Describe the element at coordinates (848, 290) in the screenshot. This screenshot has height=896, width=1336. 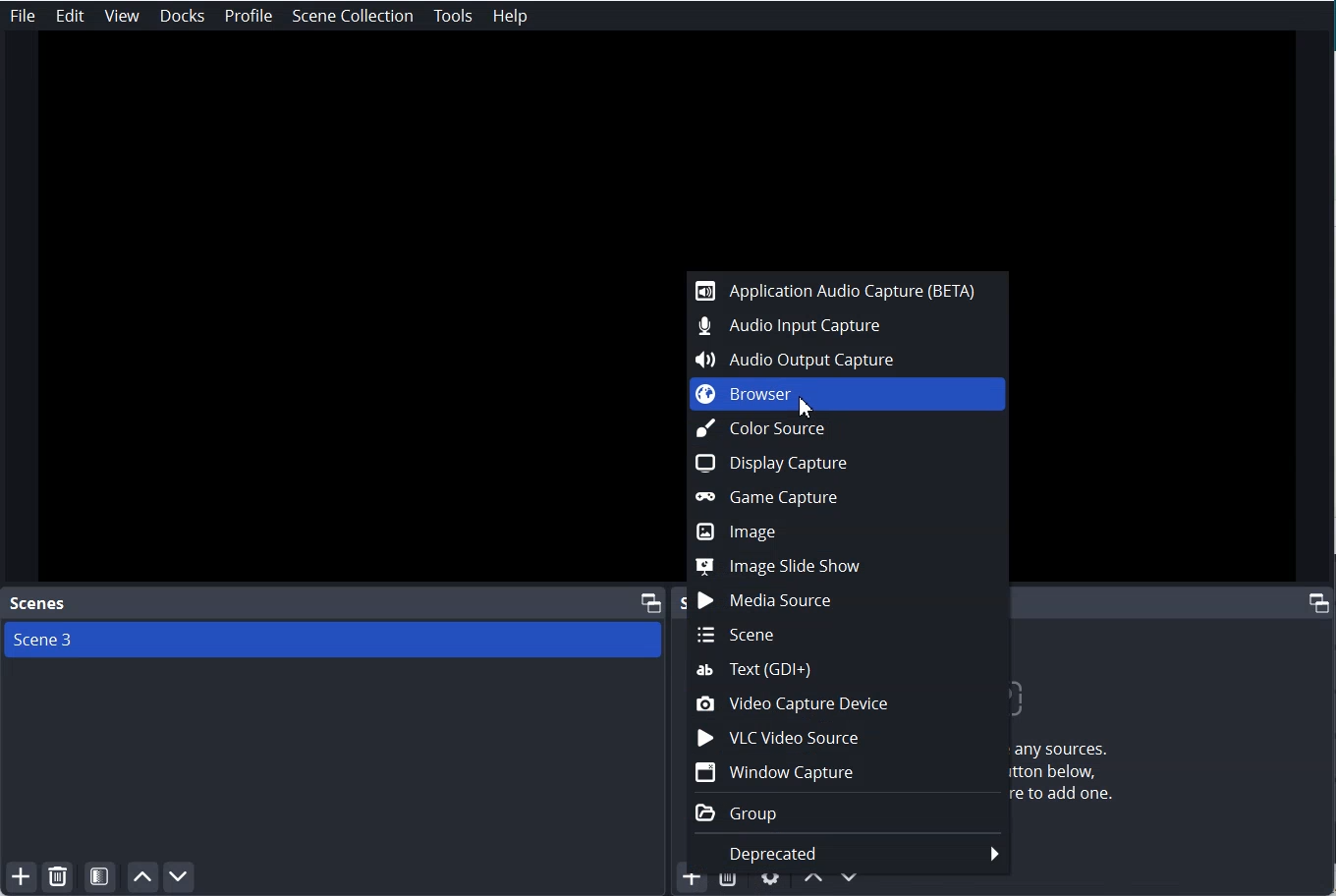
I see `Application Audio Capture` at that location.